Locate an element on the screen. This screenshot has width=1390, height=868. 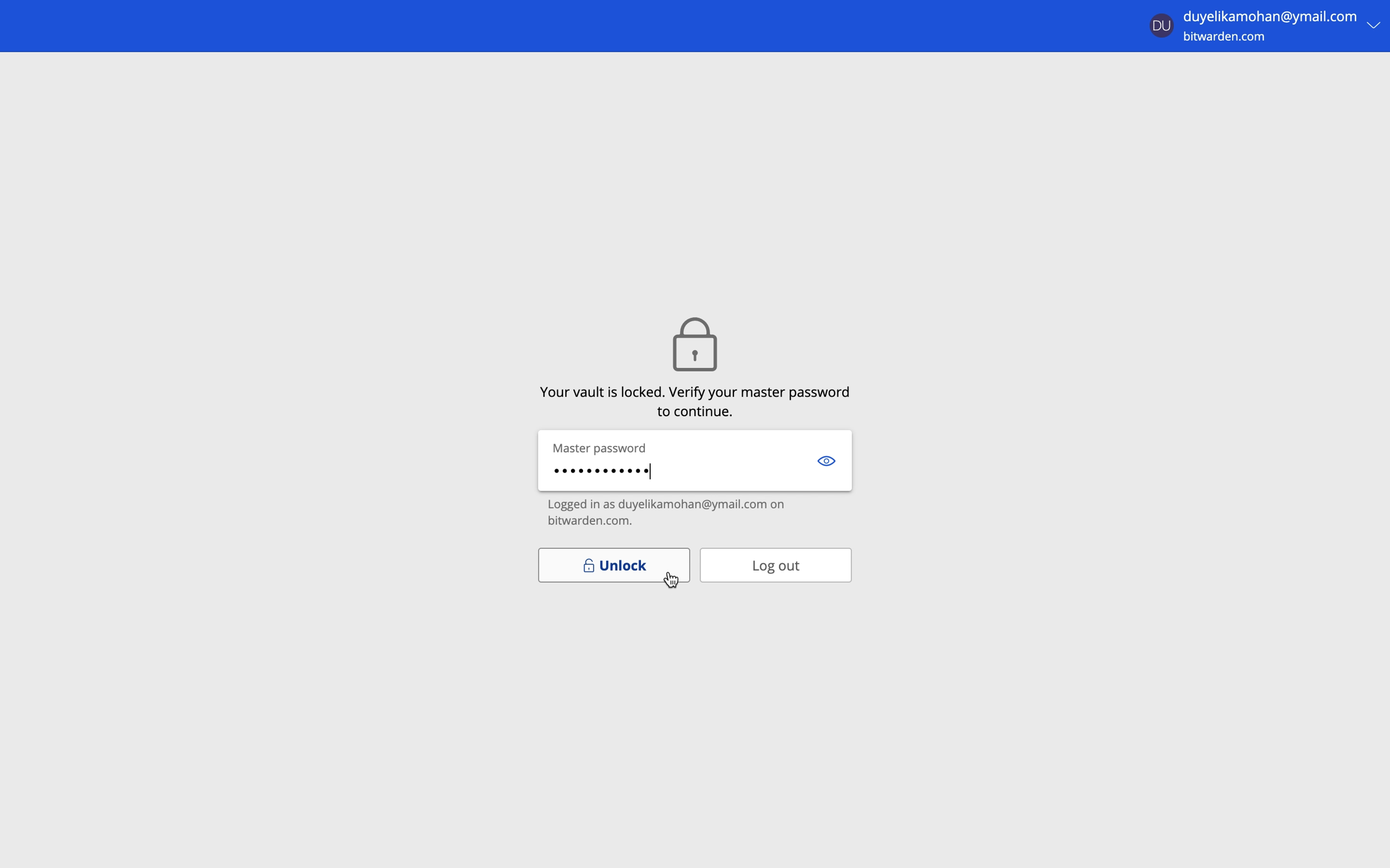
cursor is located at coordinates (777, 673).